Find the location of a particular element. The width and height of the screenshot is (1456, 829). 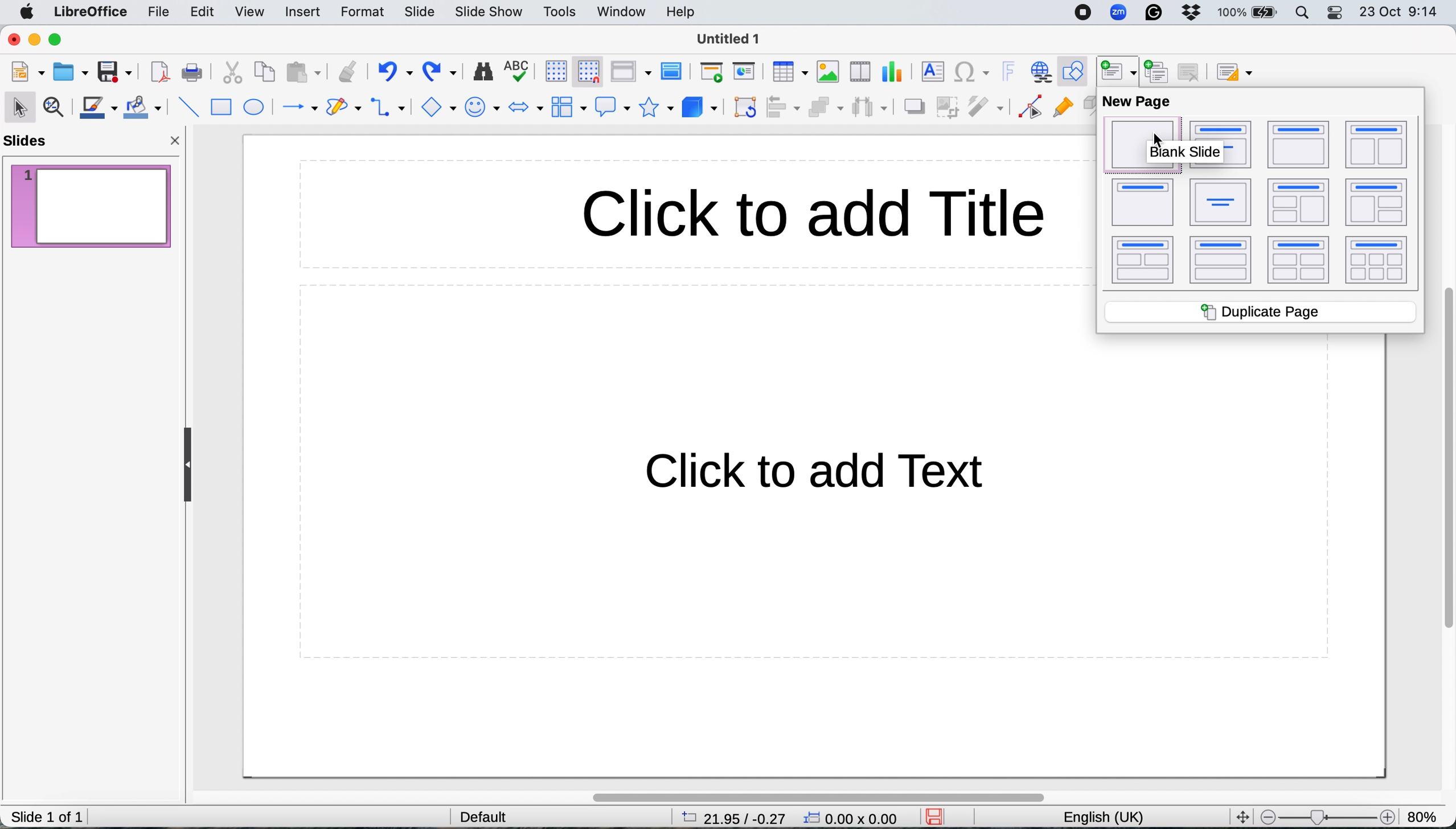

text color is located at coordinates (99, 108).